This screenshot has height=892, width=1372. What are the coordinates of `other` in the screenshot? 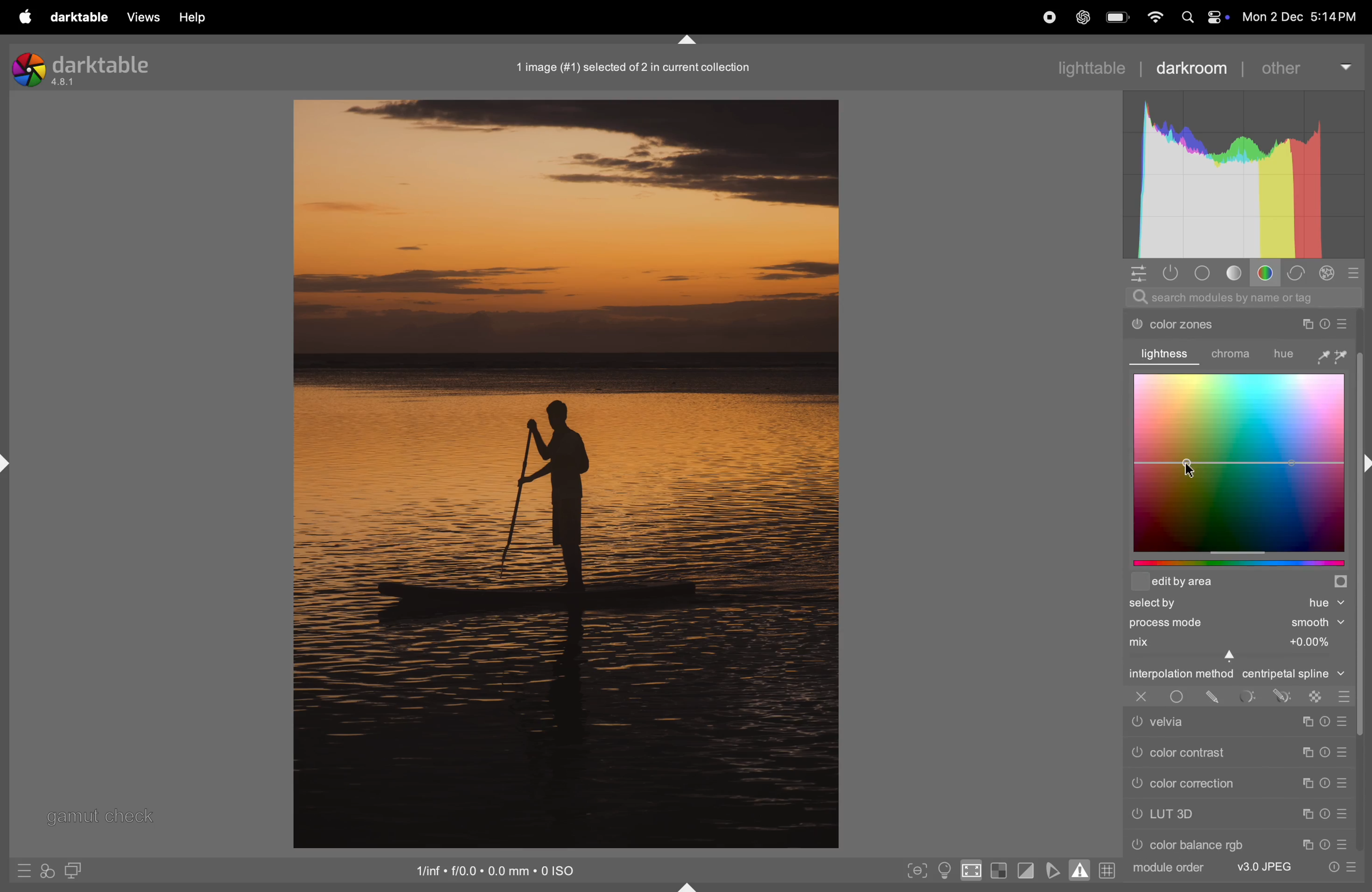 It's located at (1308, 66).